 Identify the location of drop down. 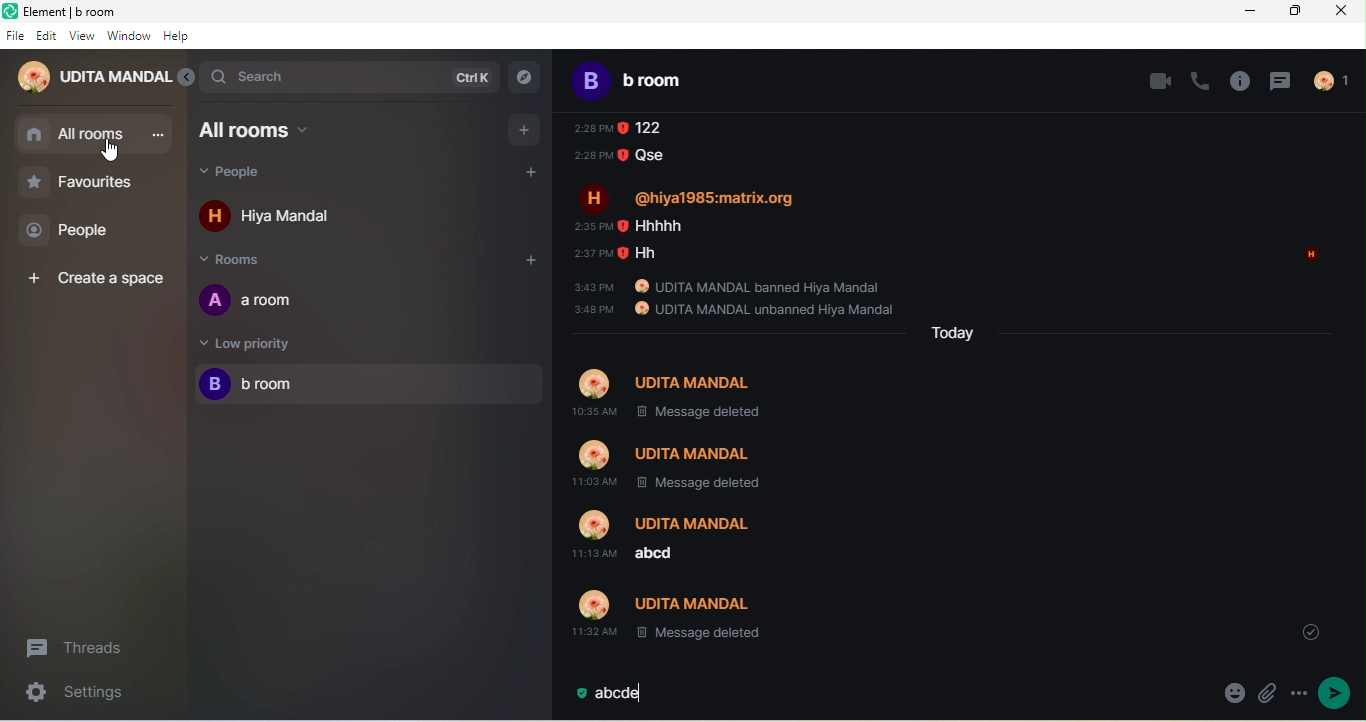
(1310, 628).